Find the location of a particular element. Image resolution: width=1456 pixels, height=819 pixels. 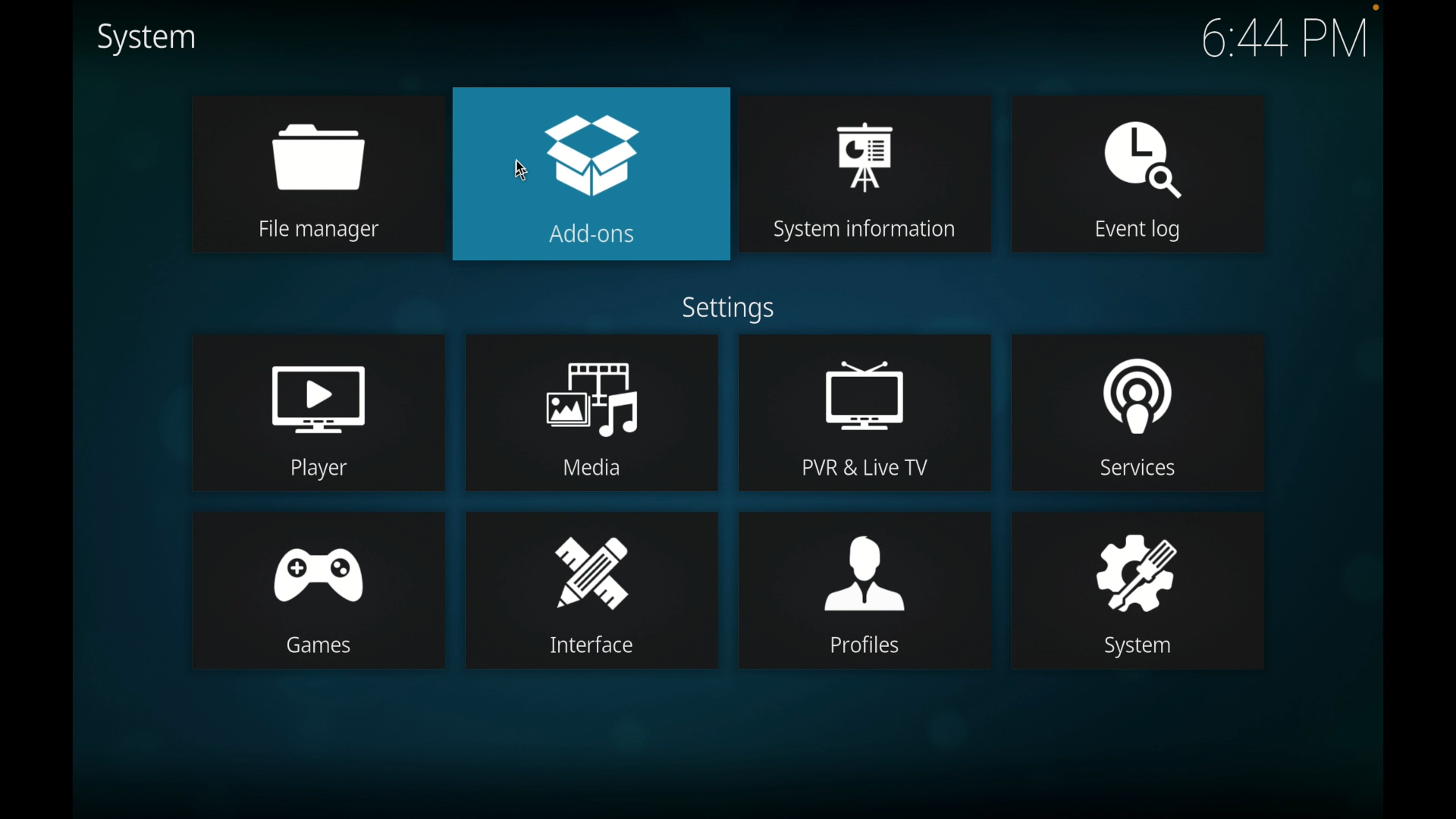

player is located at coordinates (319, 413).